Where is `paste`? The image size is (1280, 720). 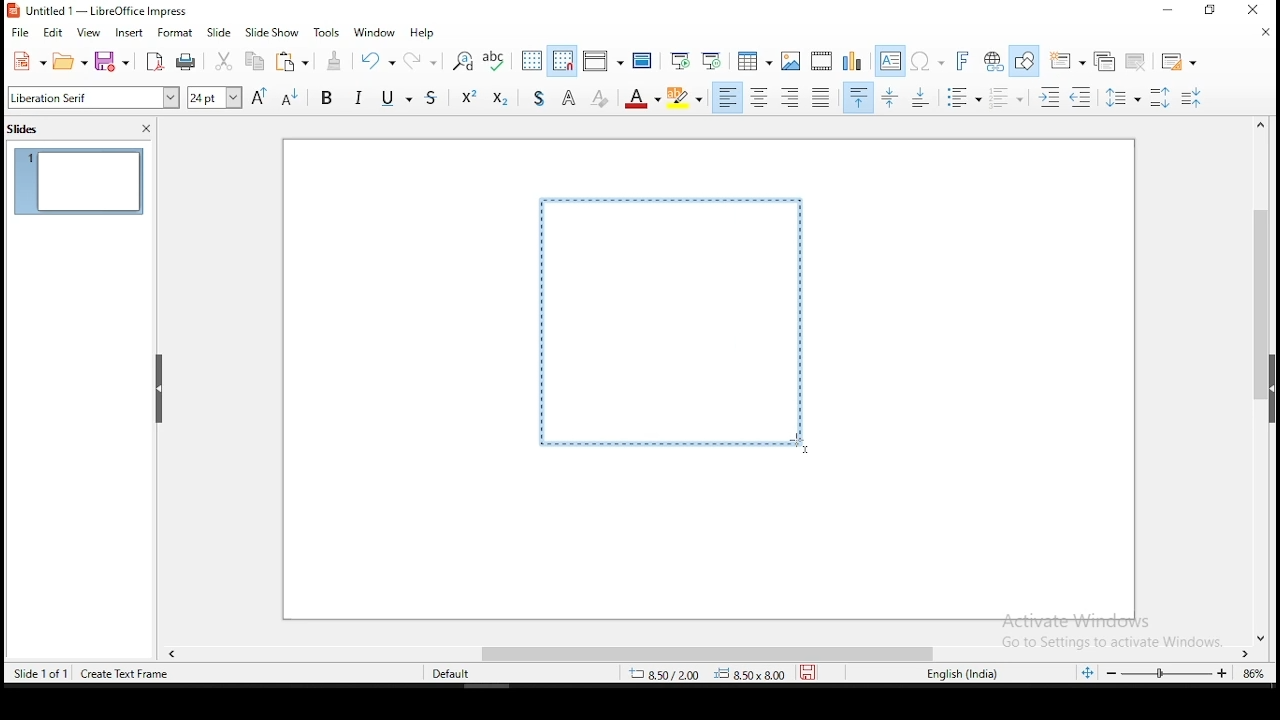
paste is located at coordinates (294, 63).